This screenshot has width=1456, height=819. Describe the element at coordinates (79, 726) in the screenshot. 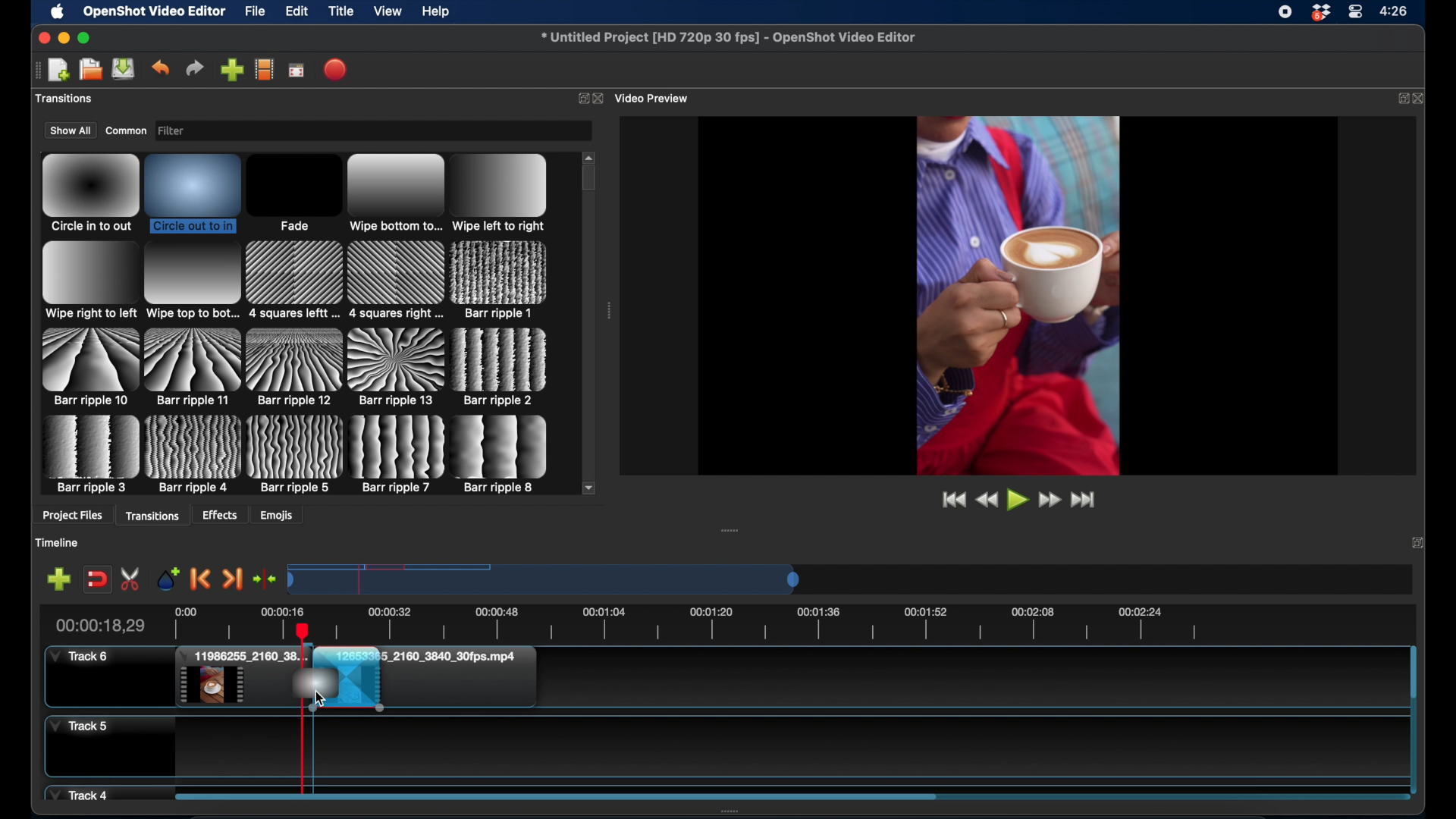

I see `track 5` at that location.